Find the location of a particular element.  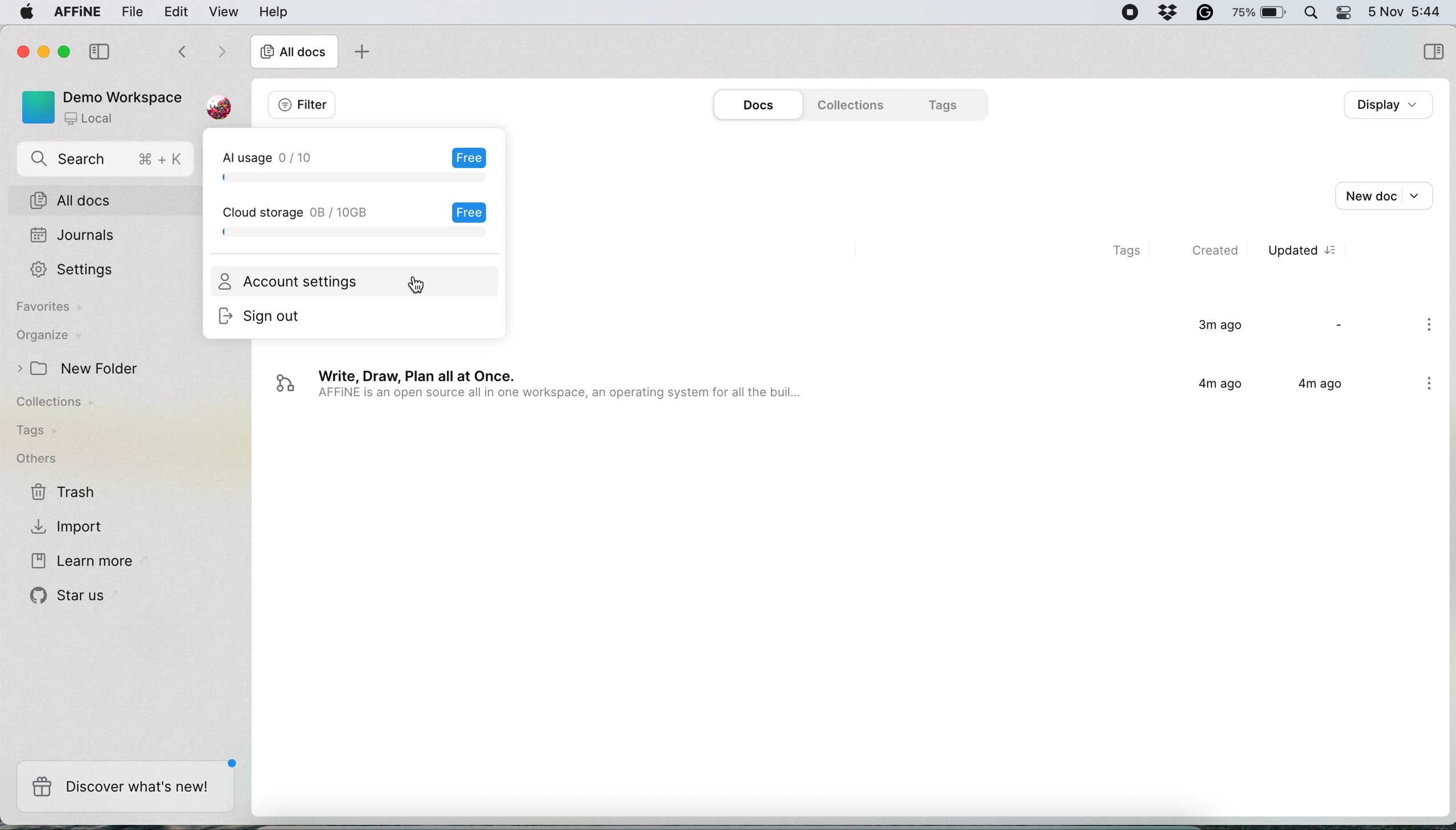

demo workspace is located at coordinates (97, 106).